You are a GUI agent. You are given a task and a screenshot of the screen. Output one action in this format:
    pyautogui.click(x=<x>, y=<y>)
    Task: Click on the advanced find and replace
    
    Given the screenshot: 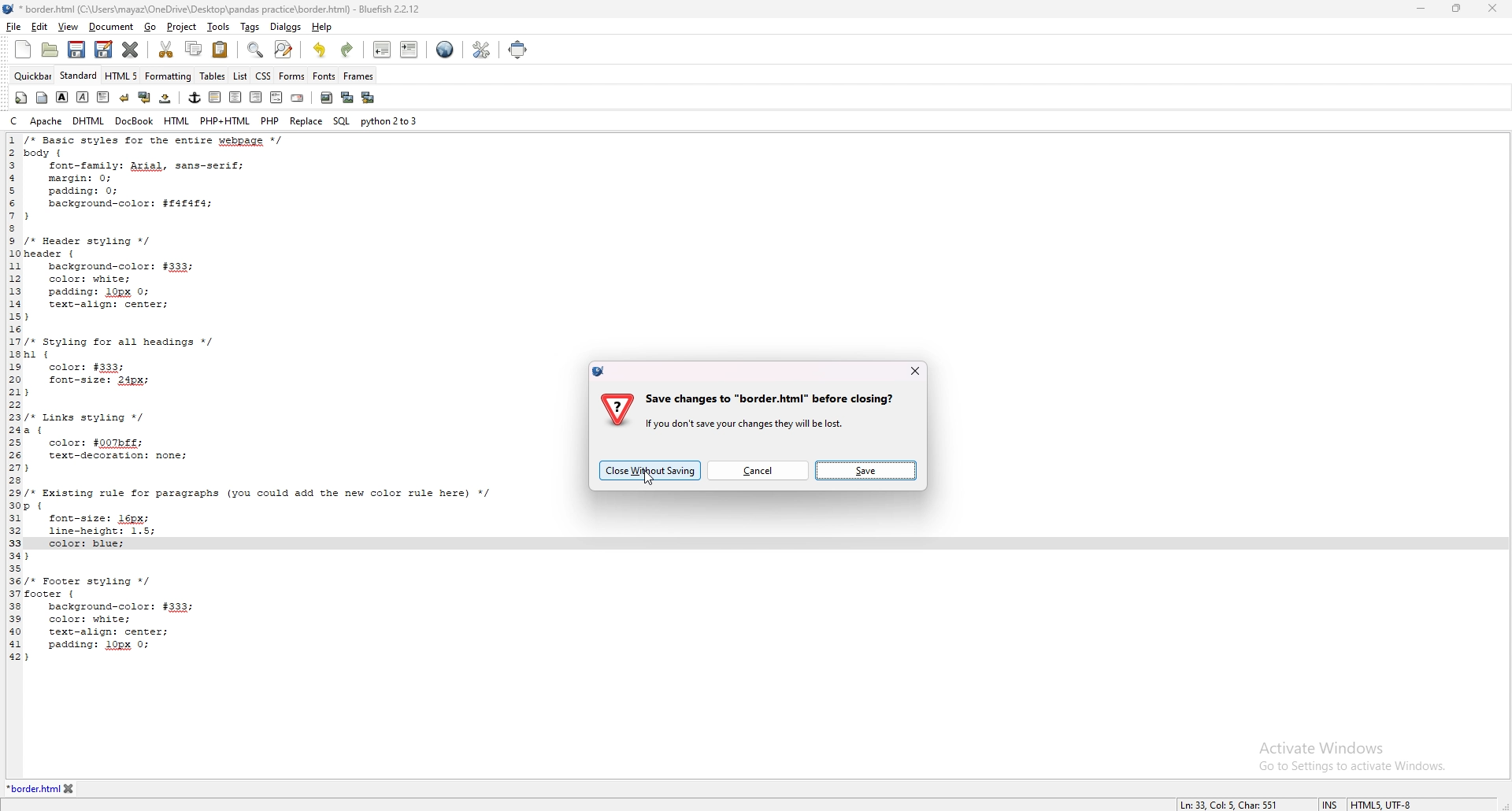 What is the action you would take?
    pyautogui.click(x=285, y=49)
    